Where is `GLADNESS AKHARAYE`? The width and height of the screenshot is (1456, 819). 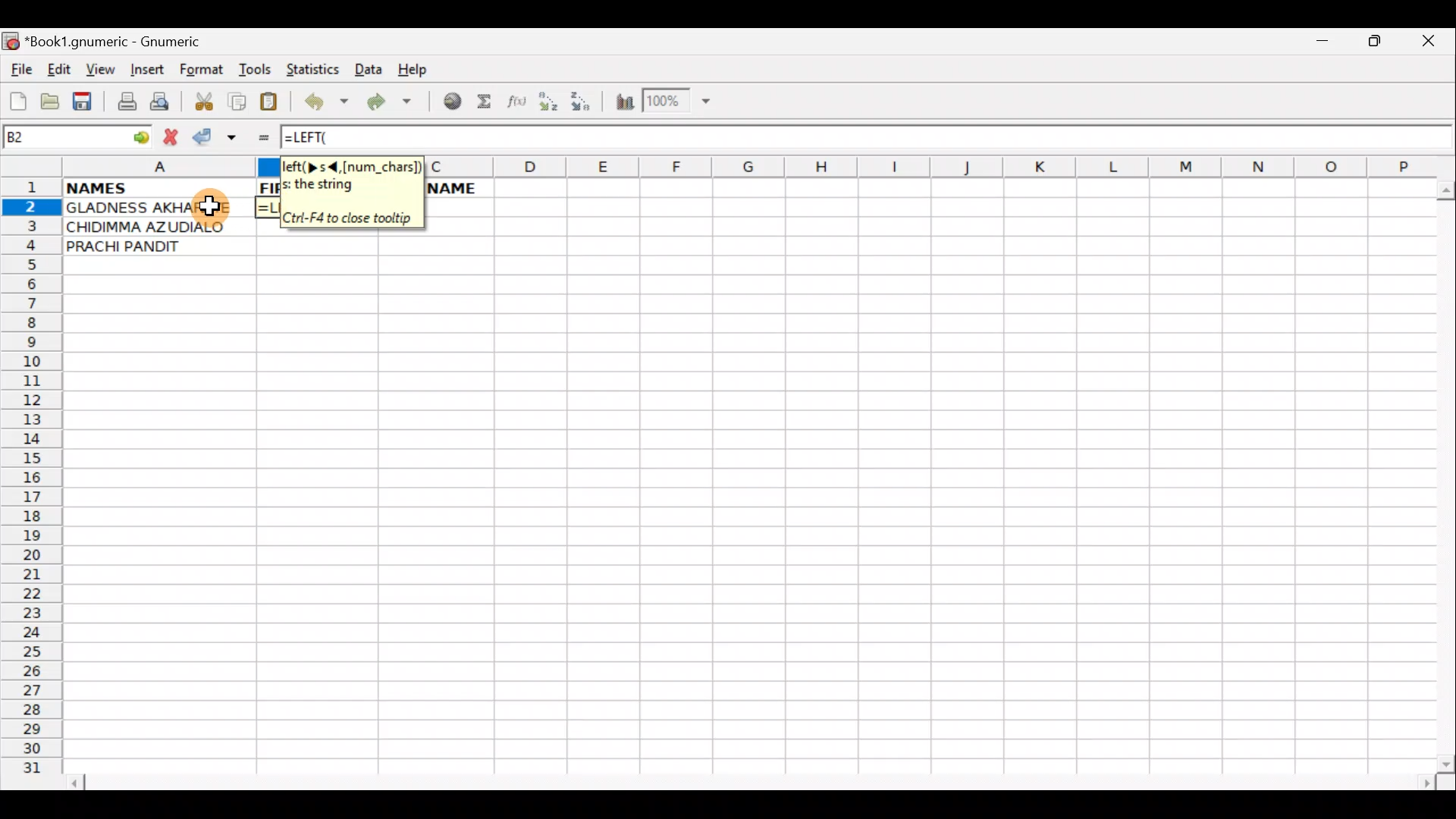
GLADNESS AKHARAYE is located at coordinates (156, 207).